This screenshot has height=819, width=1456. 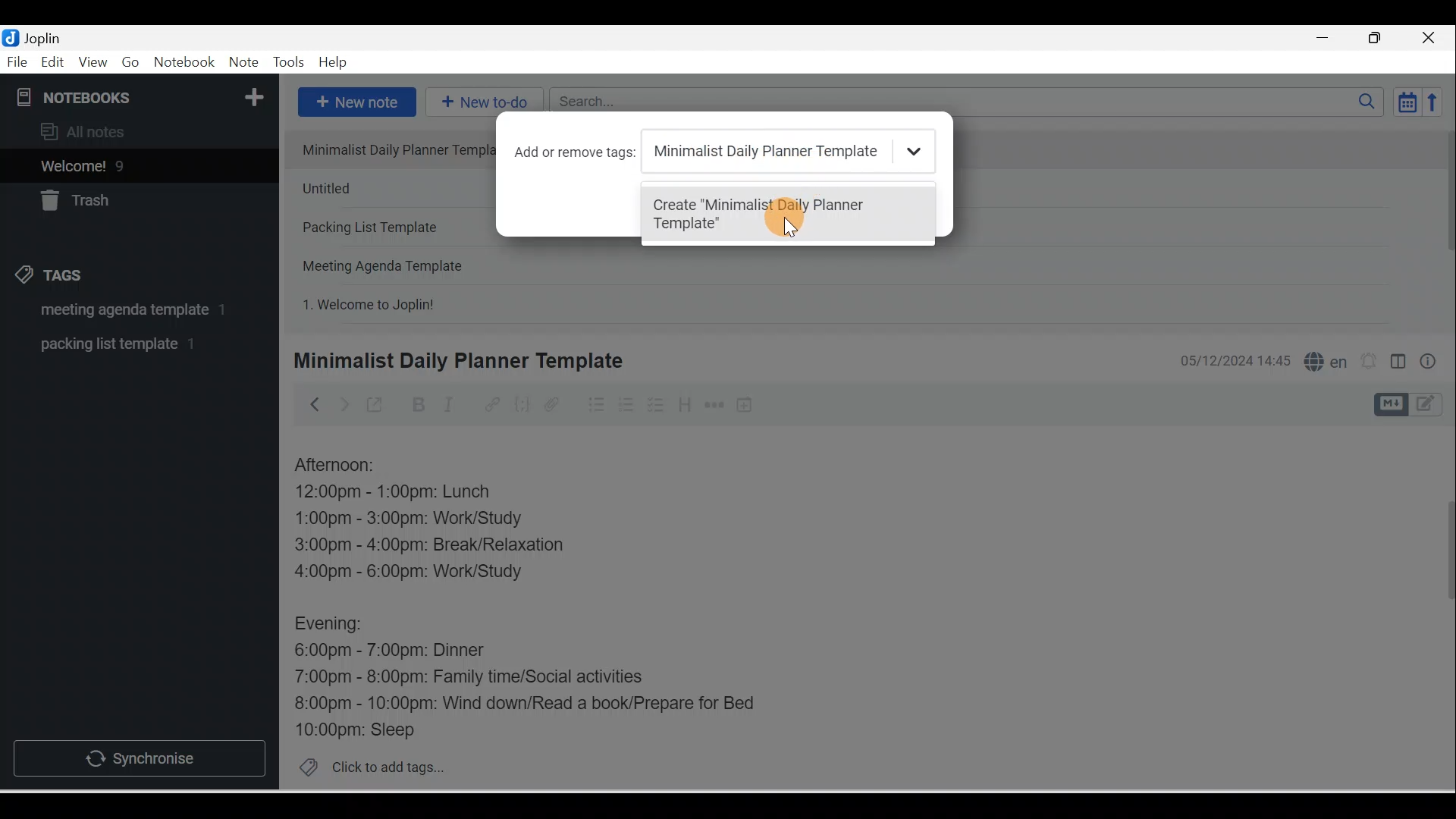 I want to click on Toggle editors, so click(x=1398, y=364).